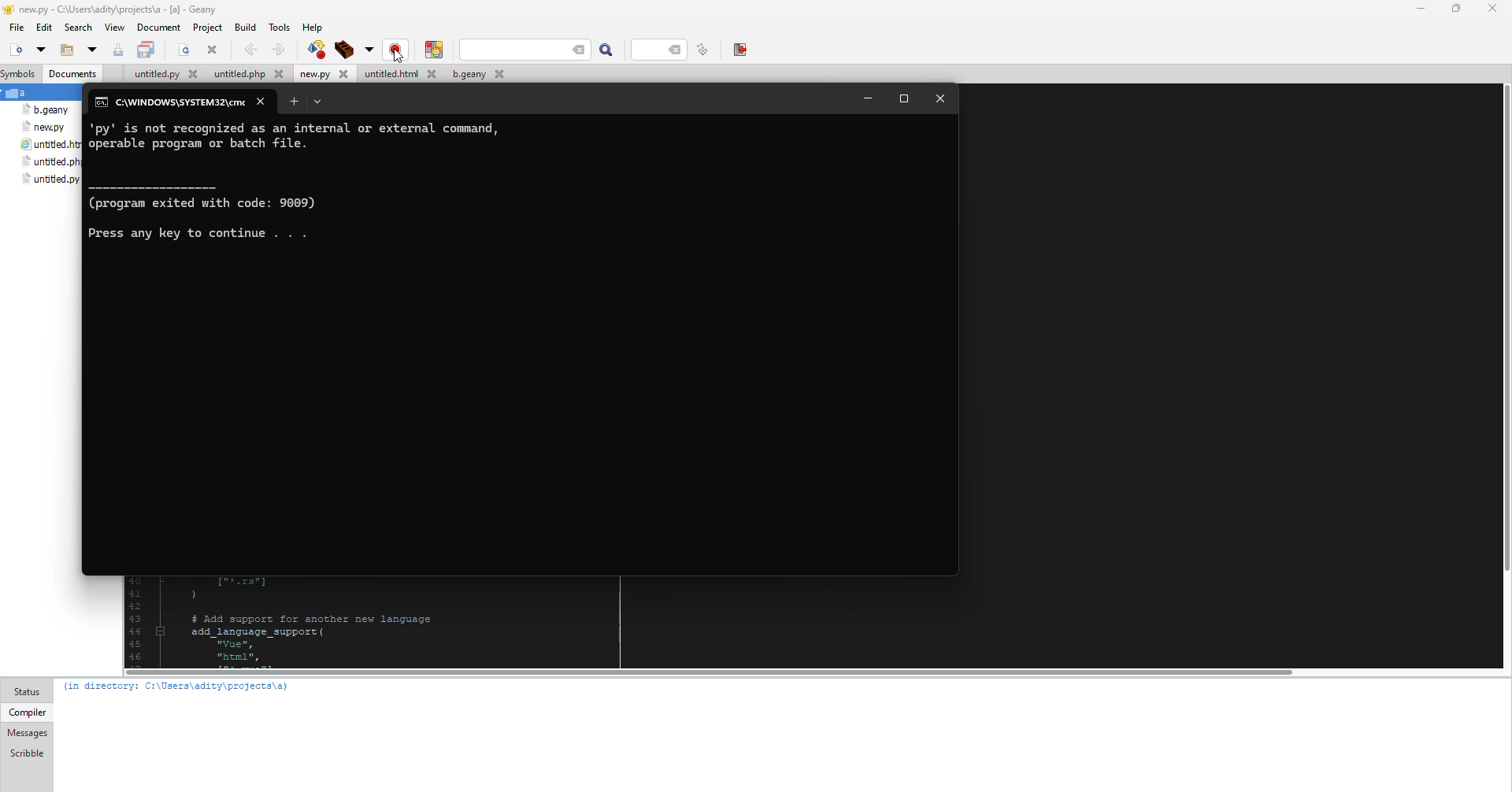 The height and width of the screenshot is (792, 1512). Describe the element at coordinates (703, 50) in the screenshot. I see `goto line` at that location.